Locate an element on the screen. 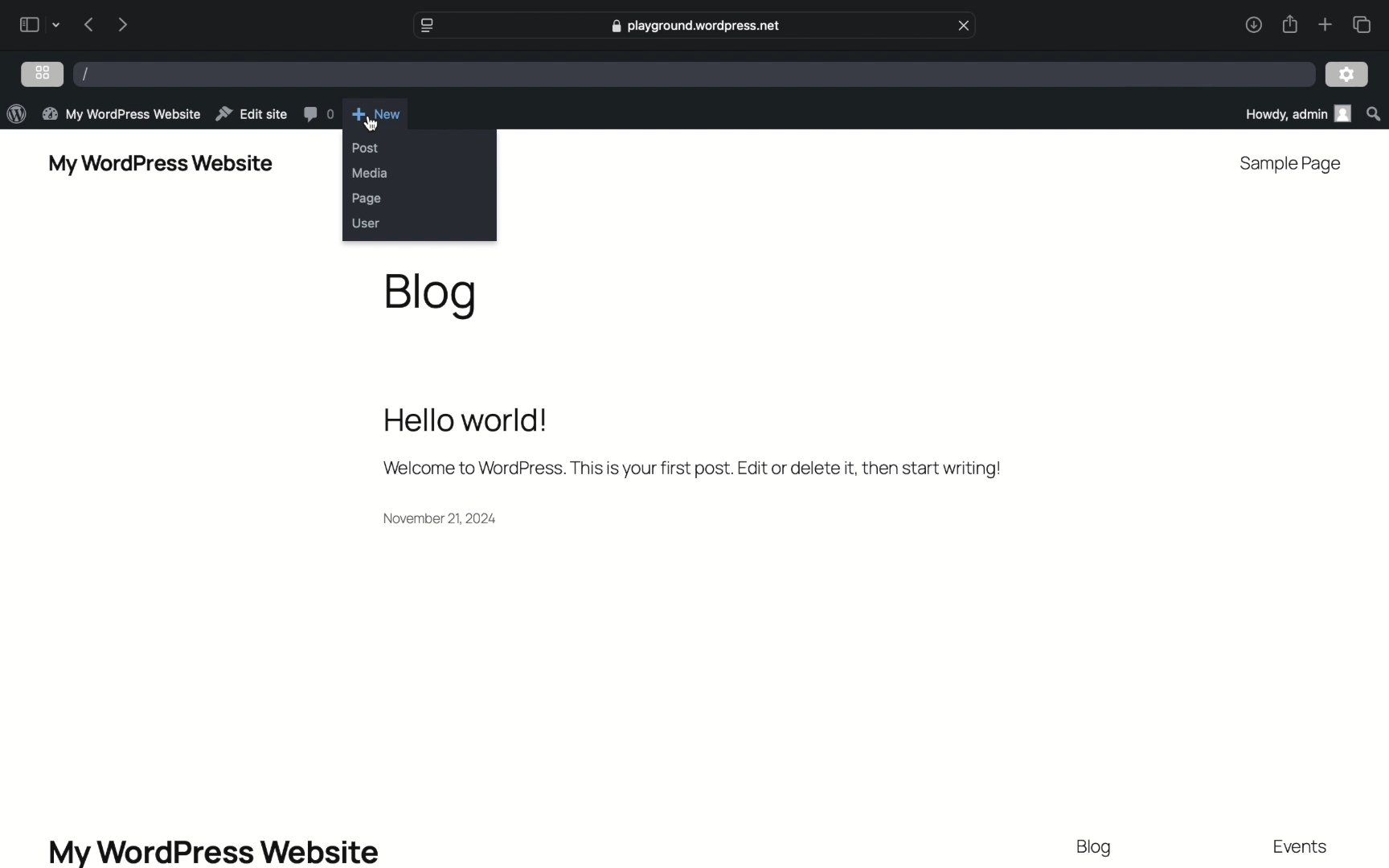  blog is located at coordinates (432, 295).